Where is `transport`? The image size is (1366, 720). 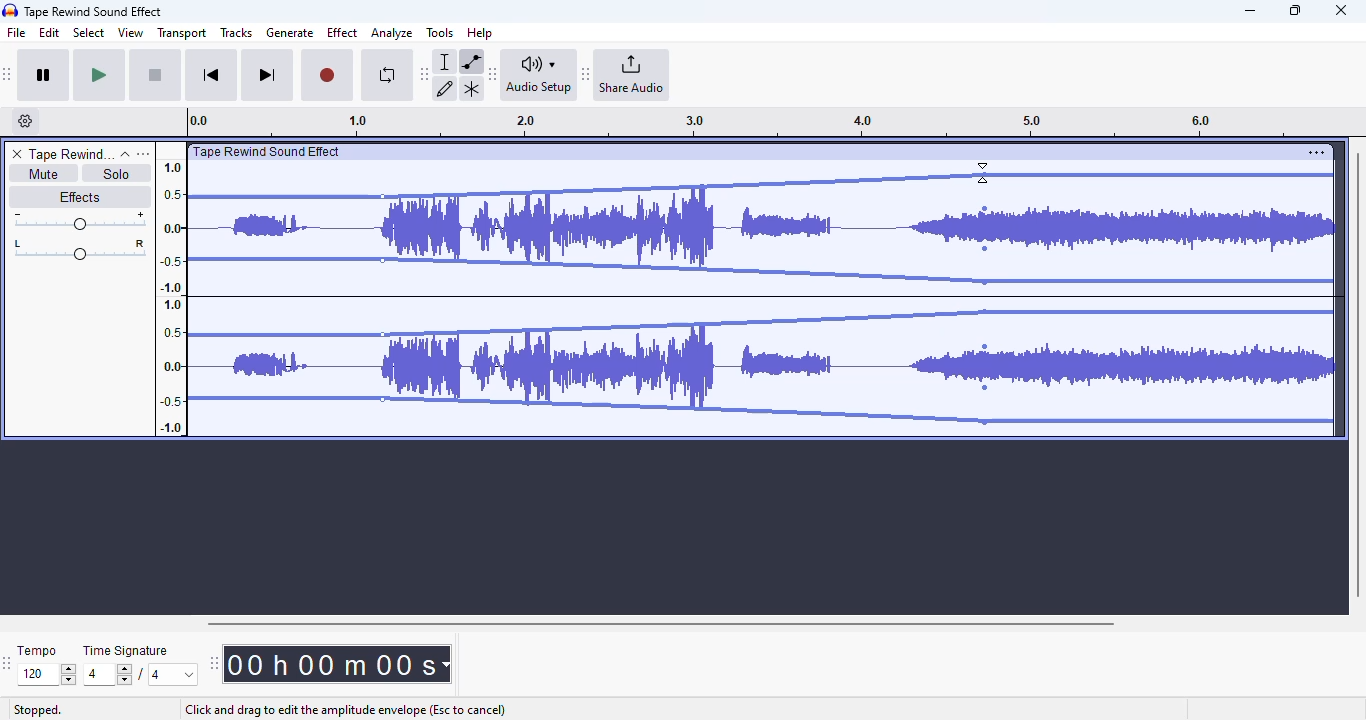 transport is located at coordinates (183, 33).